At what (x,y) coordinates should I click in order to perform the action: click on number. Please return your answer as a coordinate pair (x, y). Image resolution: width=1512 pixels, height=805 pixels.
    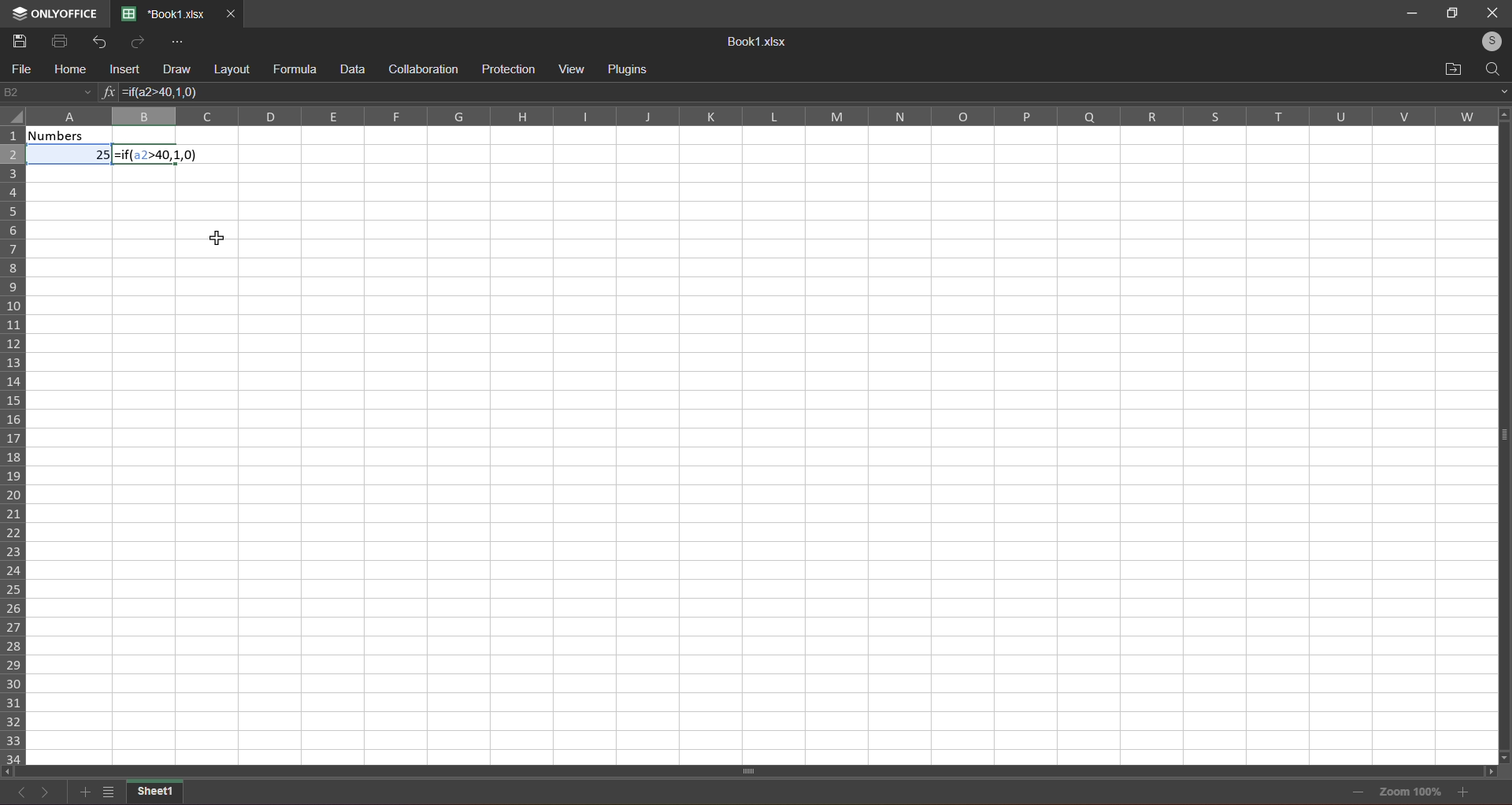
    Looking at the image, I should click on (72, 147).